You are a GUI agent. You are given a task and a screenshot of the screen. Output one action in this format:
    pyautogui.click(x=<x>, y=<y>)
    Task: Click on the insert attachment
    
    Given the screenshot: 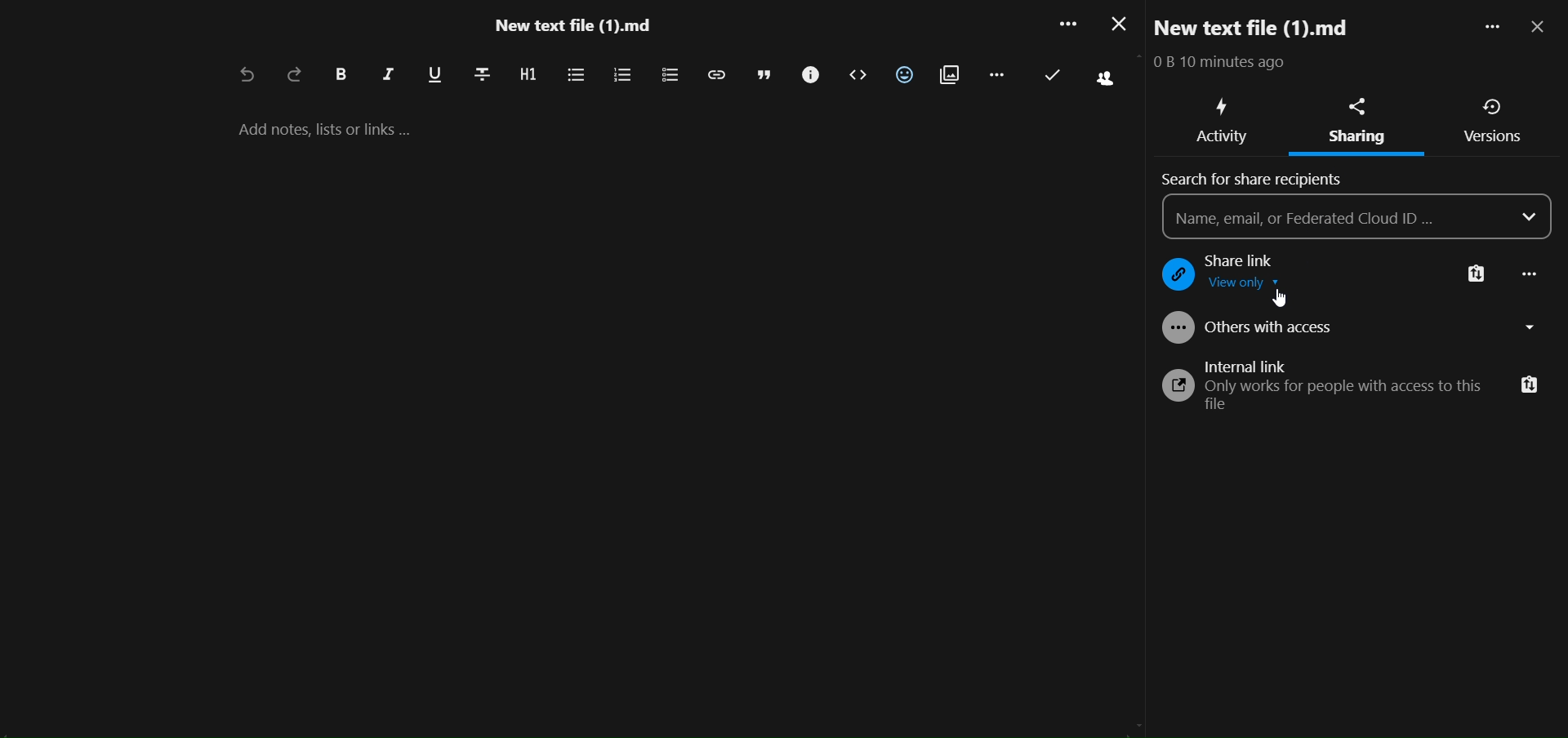 What is the action you would take?
    pyautogui.click(x=949, y=76)
    